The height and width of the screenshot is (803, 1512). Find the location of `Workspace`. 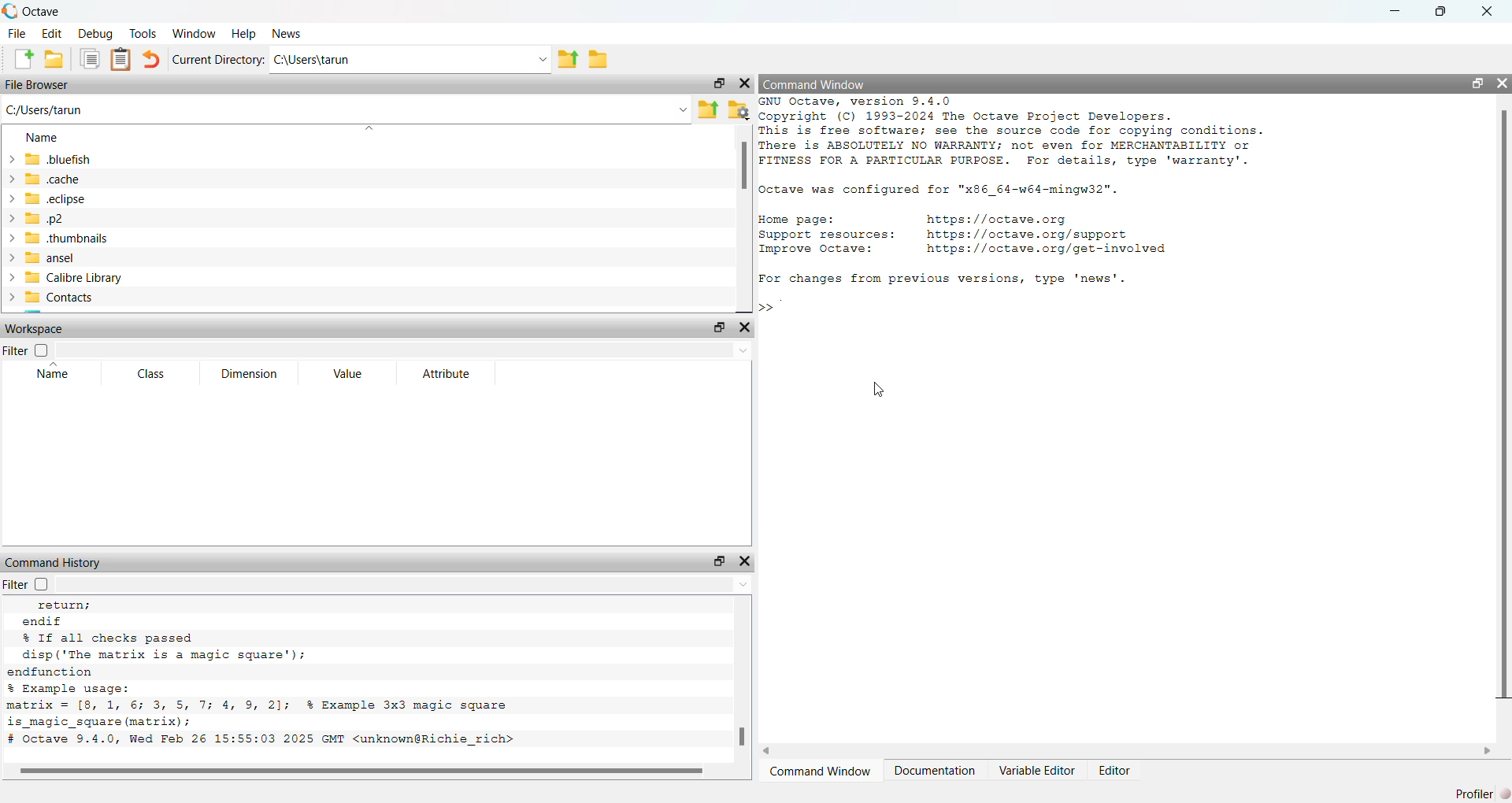

Workspace is located at coordinates (35, 328).